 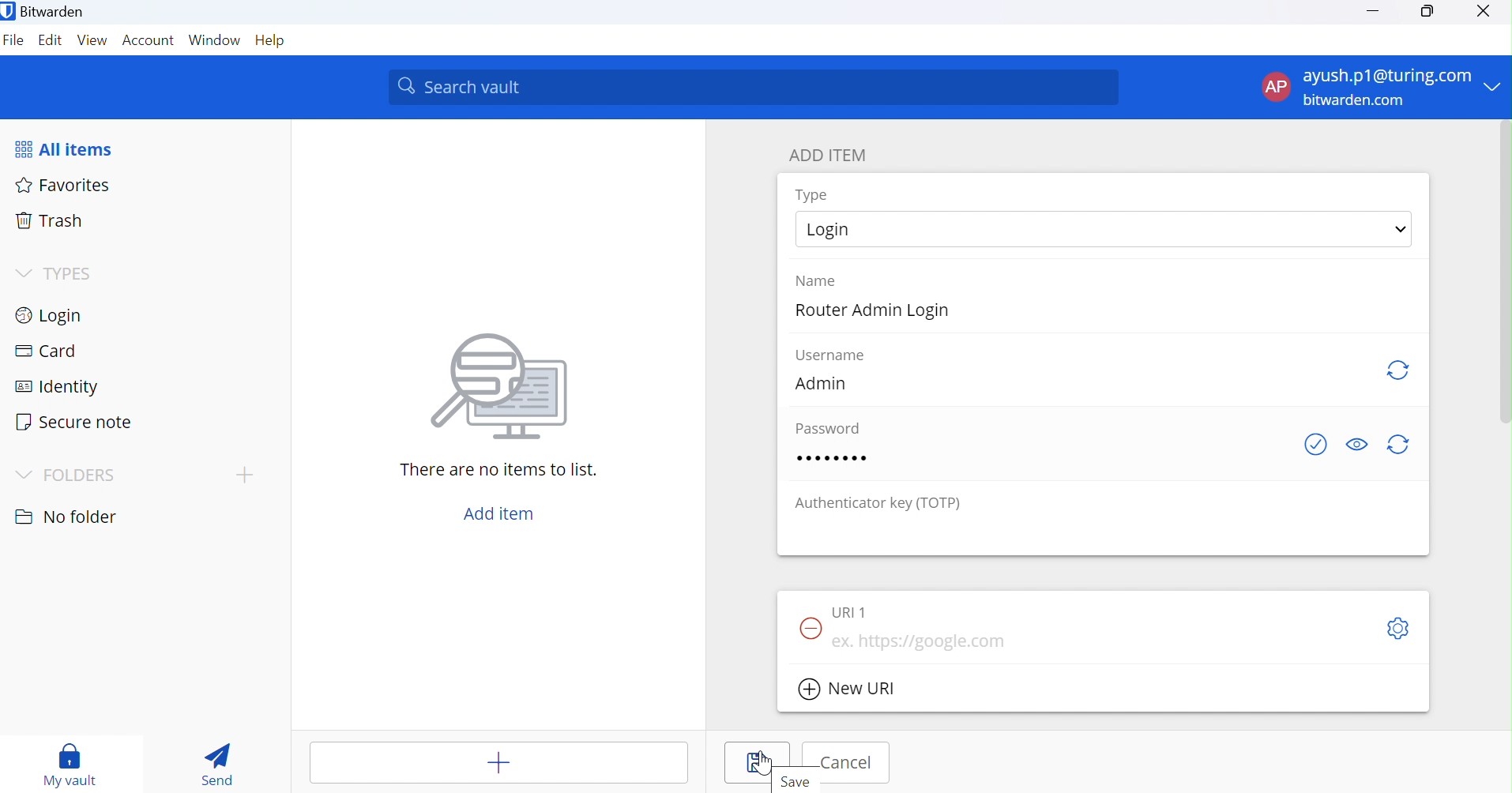 I want to click on Minimize, so click(x=1374, y=11).